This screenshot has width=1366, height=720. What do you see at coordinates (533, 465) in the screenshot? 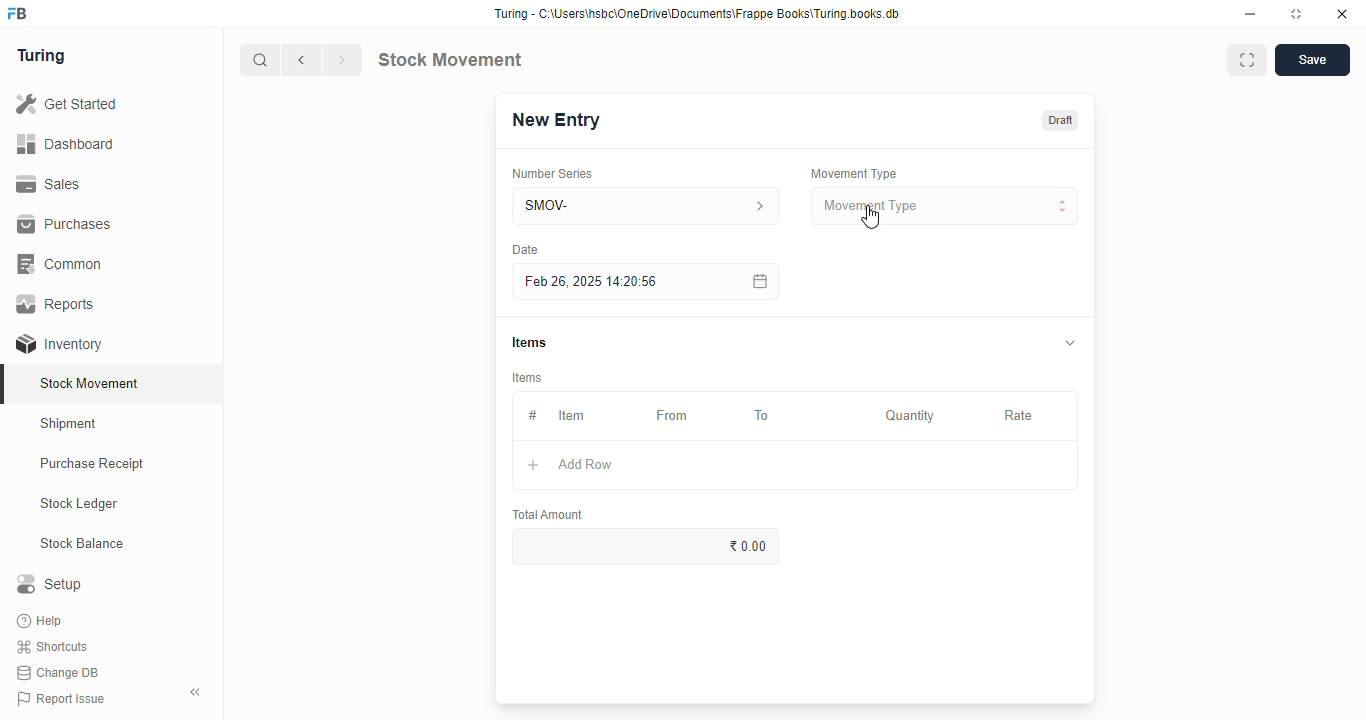
I see `add` at bounding box center [533, 465].